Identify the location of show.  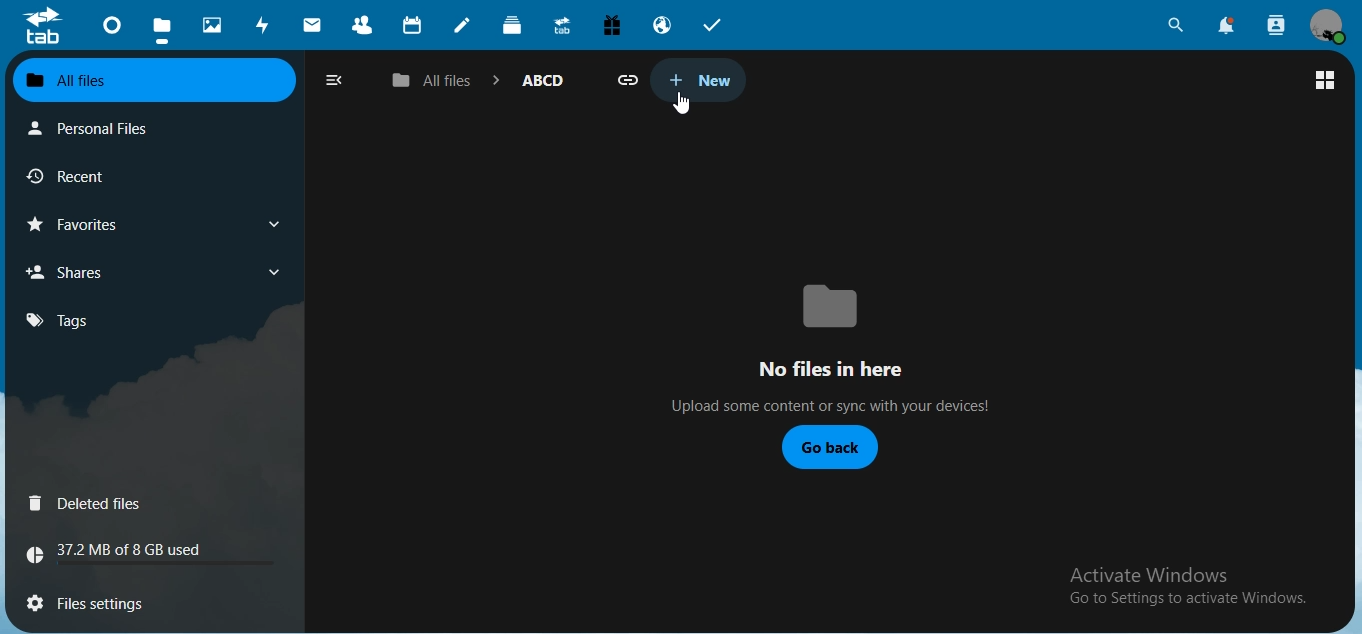
(273, 272).